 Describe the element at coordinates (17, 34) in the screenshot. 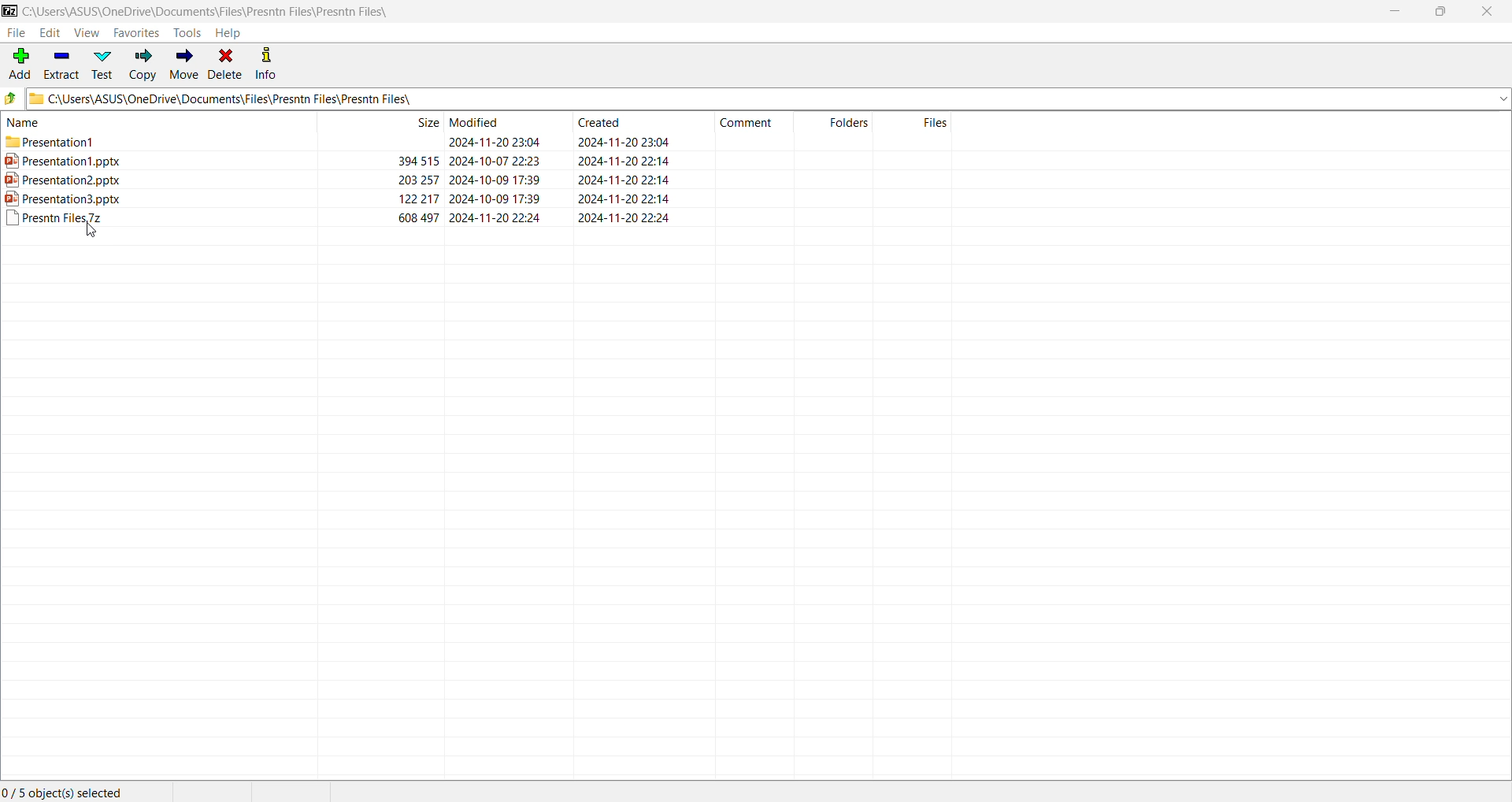

I see `File` at that location.